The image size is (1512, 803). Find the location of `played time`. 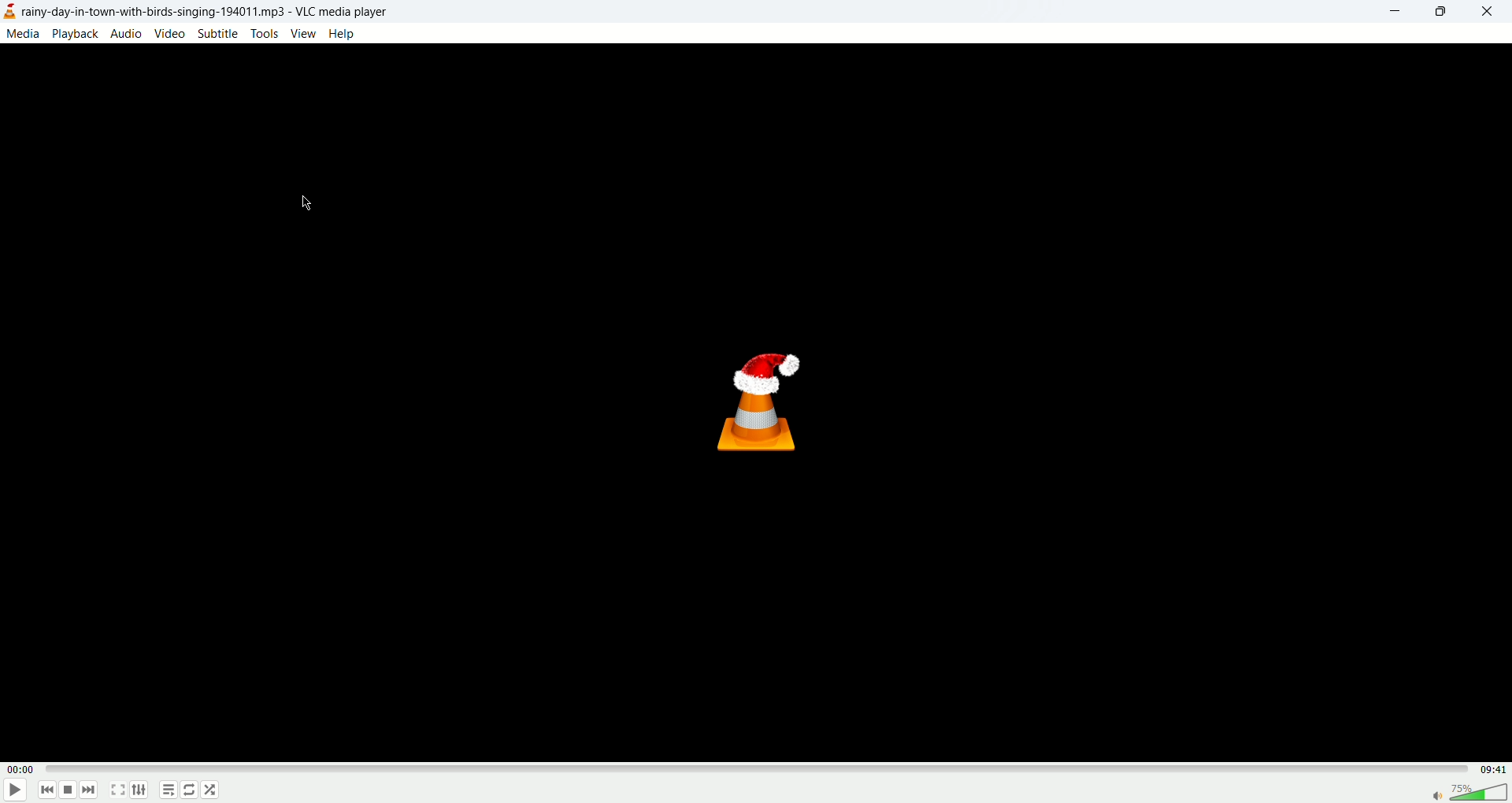

played time is located at coordinates (20, 768).